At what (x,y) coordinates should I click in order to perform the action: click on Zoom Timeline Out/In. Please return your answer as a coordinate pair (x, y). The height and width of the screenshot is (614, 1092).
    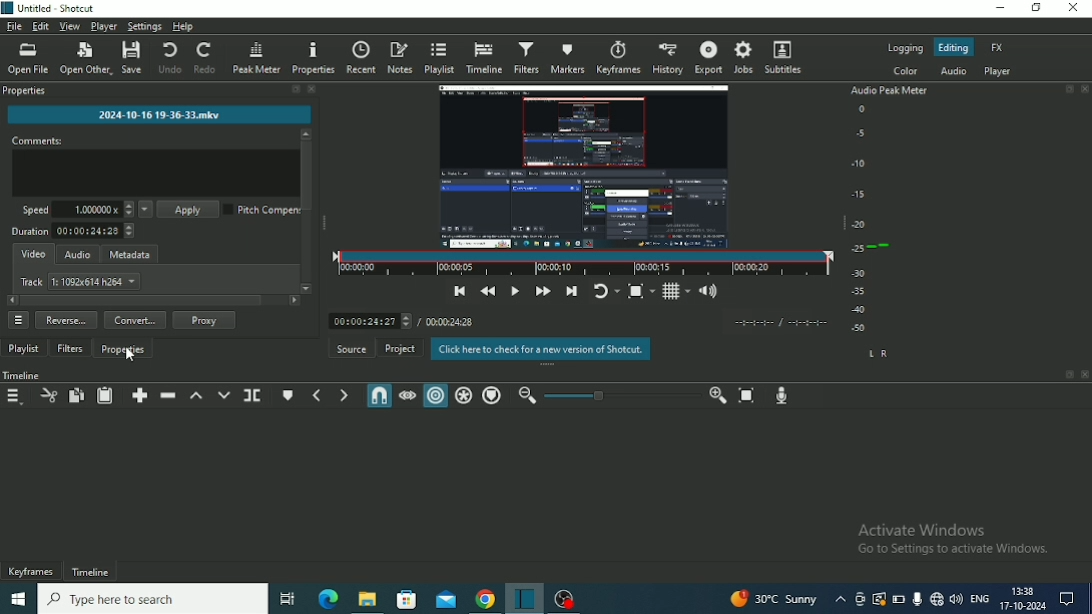
    Looking at the image, I should click on (622, 397).